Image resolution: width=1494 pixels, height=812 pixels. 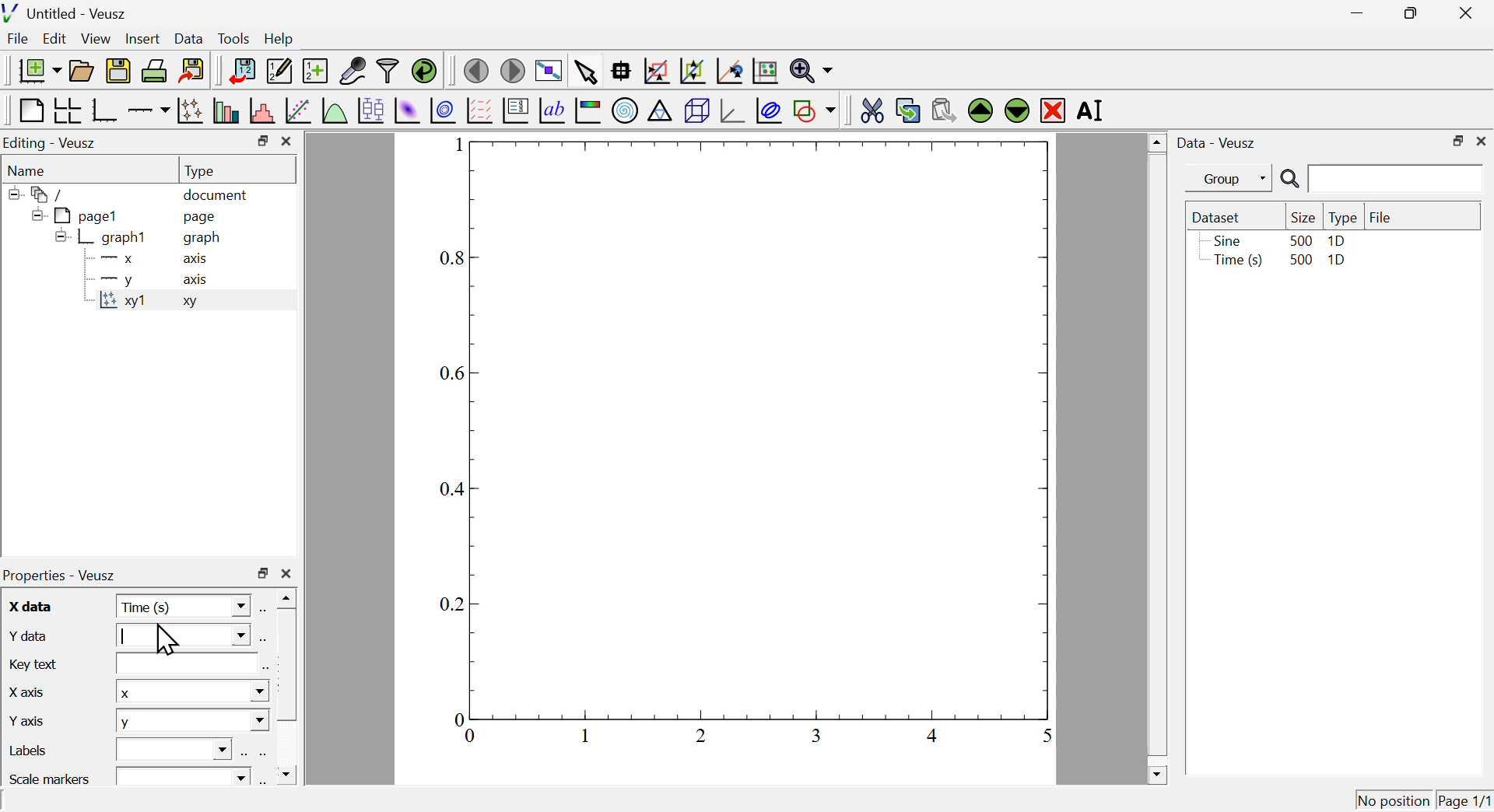 What do you see at coordinates (35, 70) in the screenshot?
I see `new document` at bounding box center [35, 70].